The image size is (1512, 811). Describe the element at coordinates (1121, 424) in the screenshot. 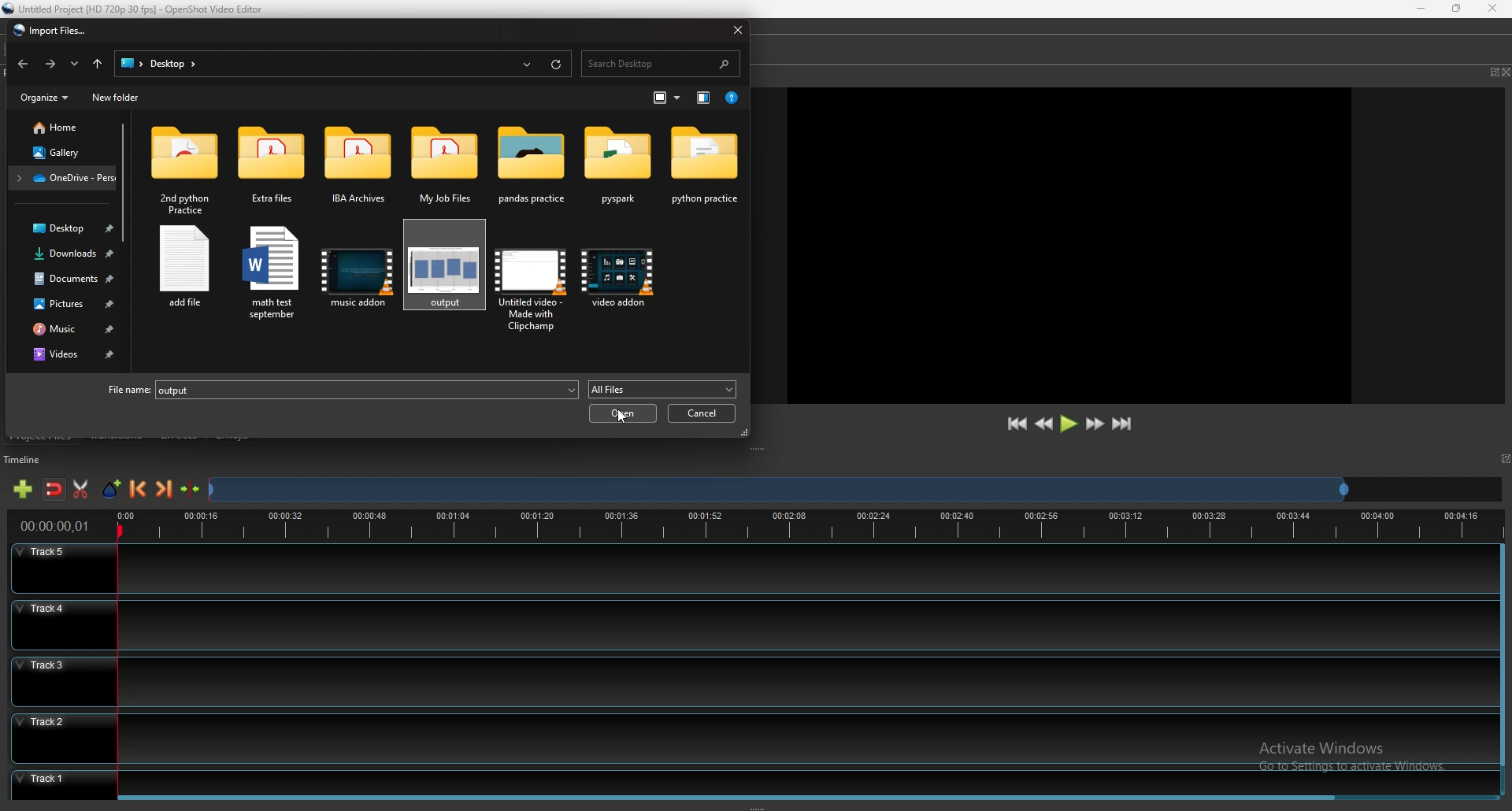

I see `jump to end` at that location.